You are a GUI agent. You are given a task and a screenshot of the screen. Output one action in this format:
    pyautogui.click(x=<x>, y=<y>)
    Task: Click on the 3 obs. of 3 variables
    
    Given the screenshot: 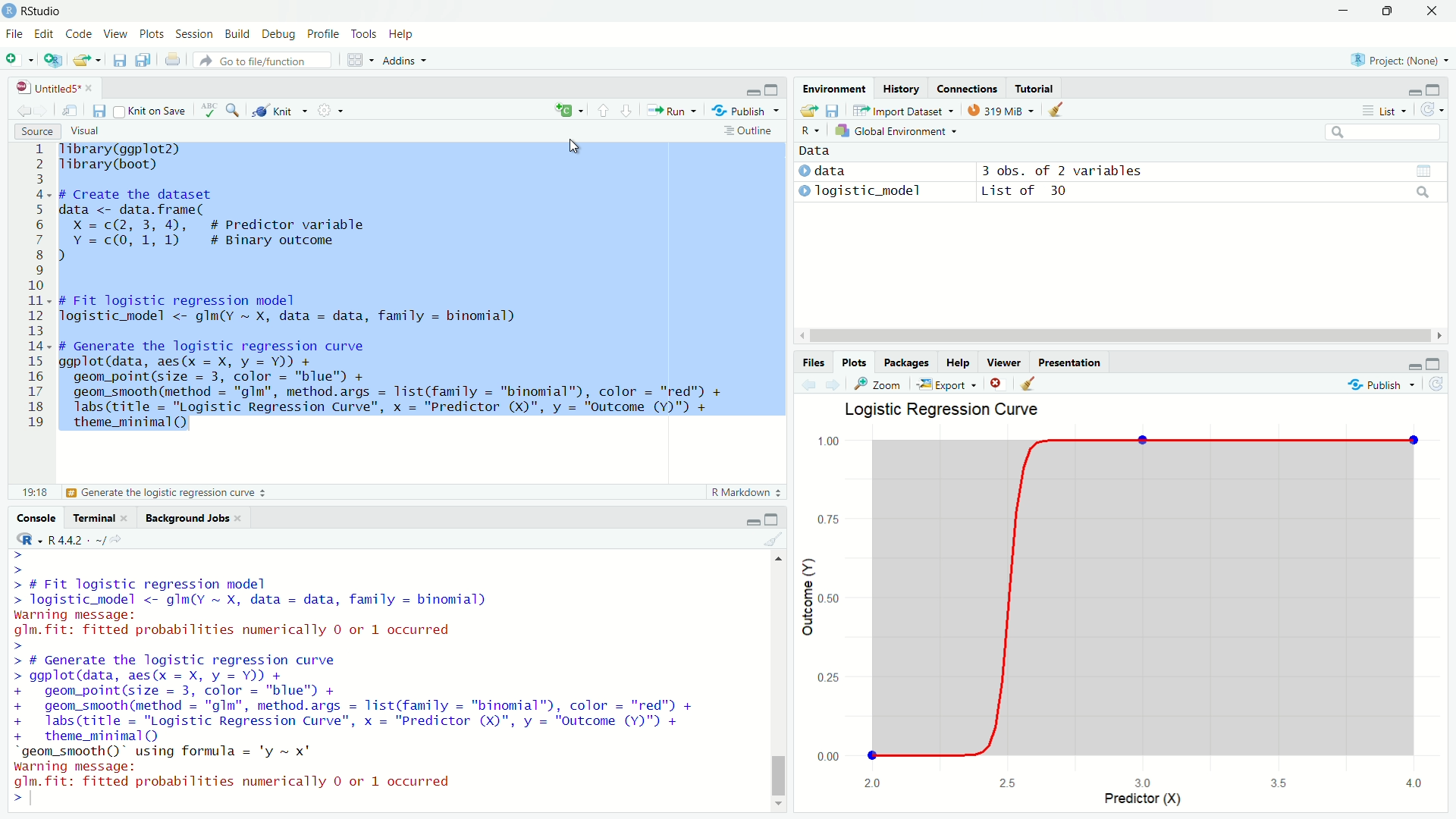 What is the action you would take?
    pyautogui.click(x=1062, y=172)
    